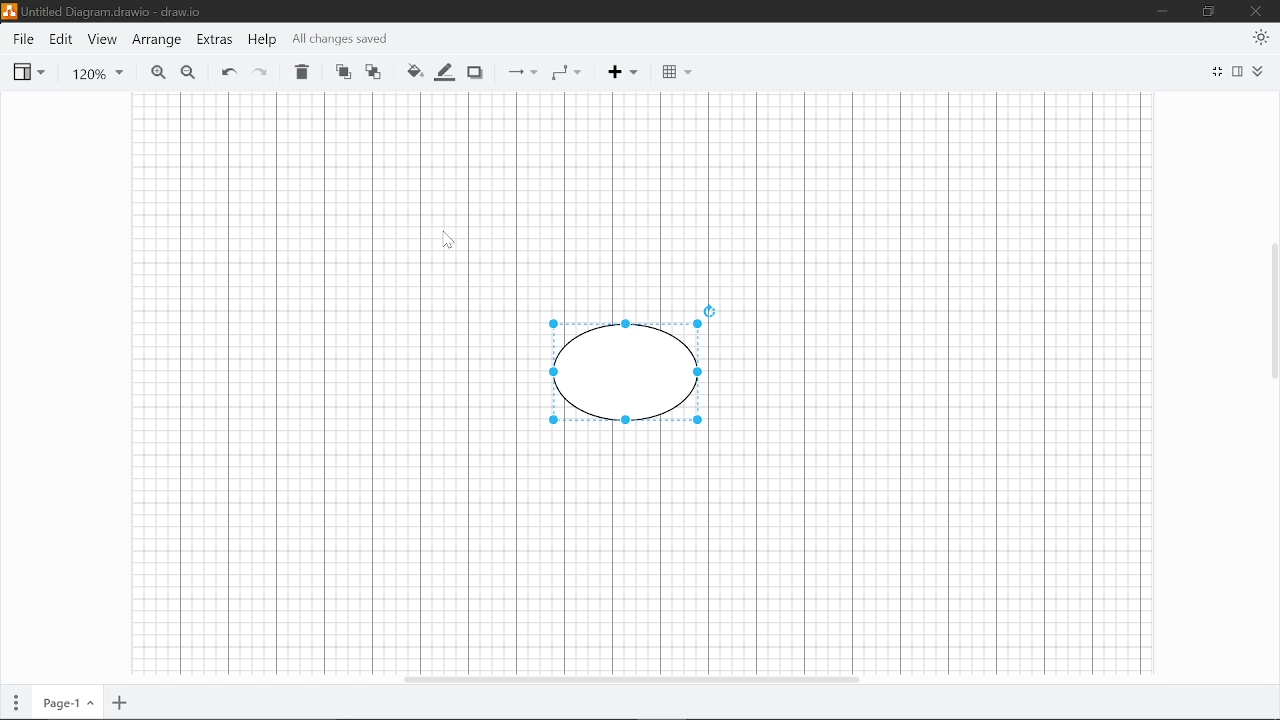  What do you see at coordinates (1210, 12) in the screenshot?
I see `restore down` at bounding box center [1210, 12].